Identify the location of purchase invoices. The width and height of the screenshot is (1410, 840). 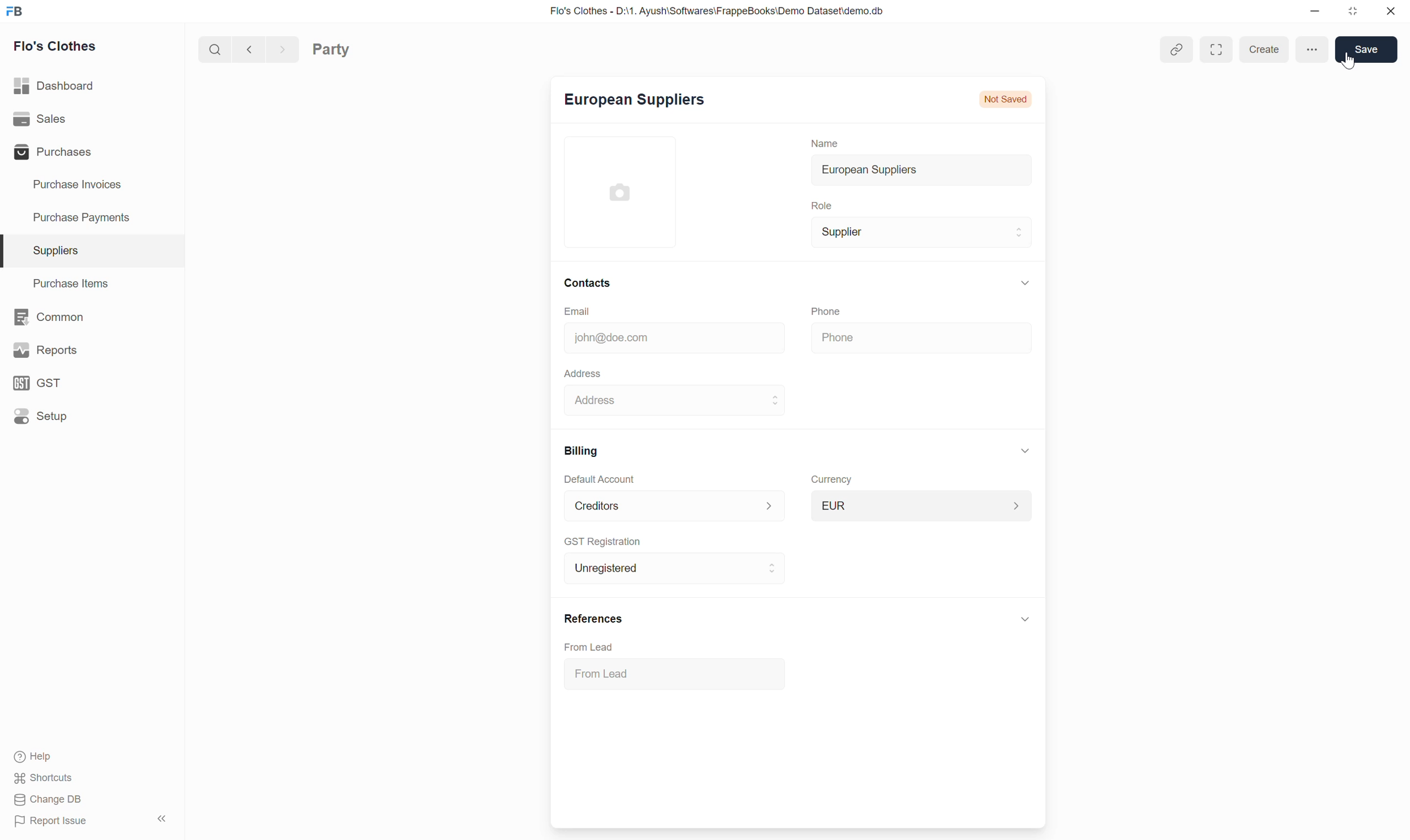
(75, 185).